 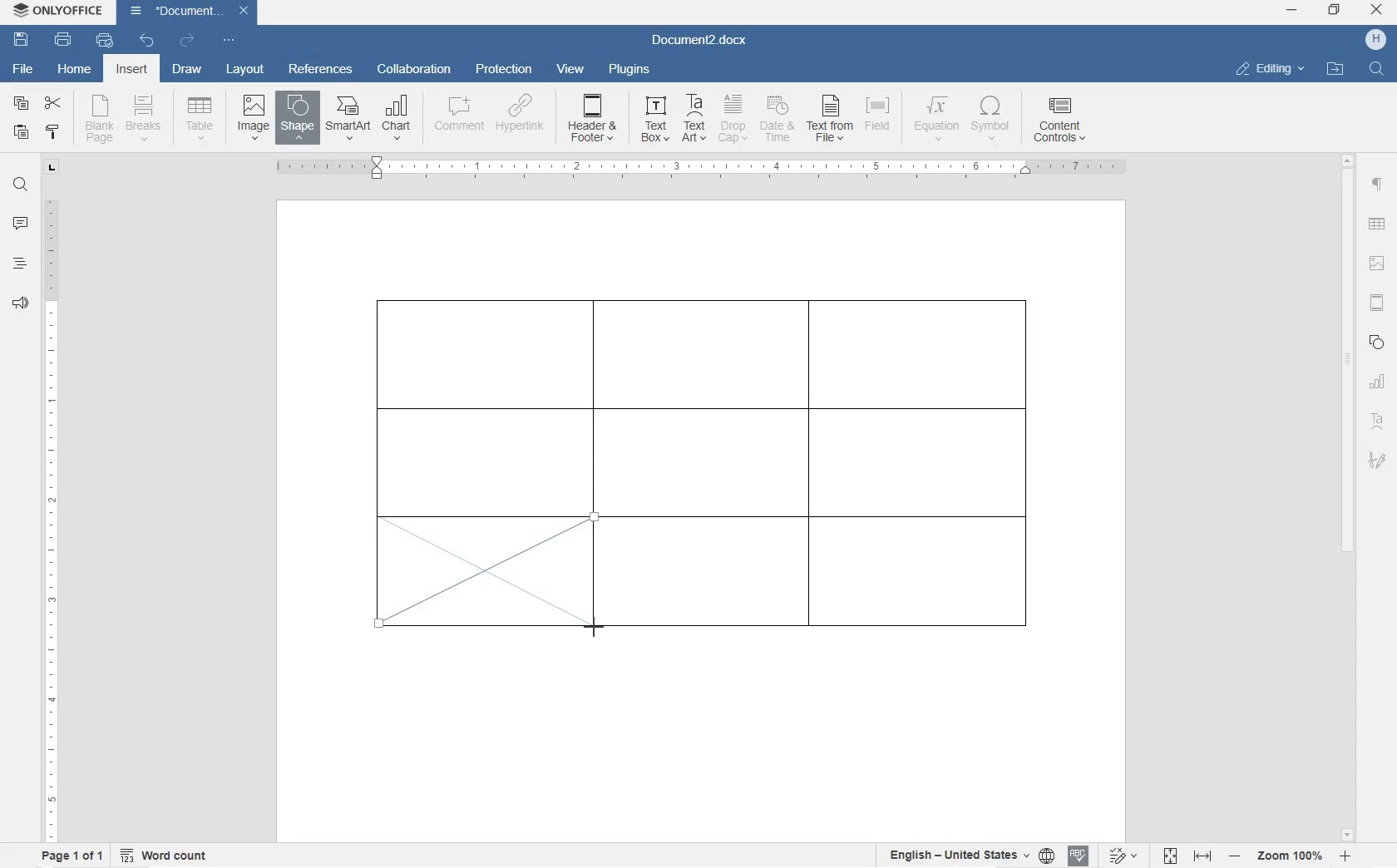 I want to click on tab, so click(x=53, y=170).